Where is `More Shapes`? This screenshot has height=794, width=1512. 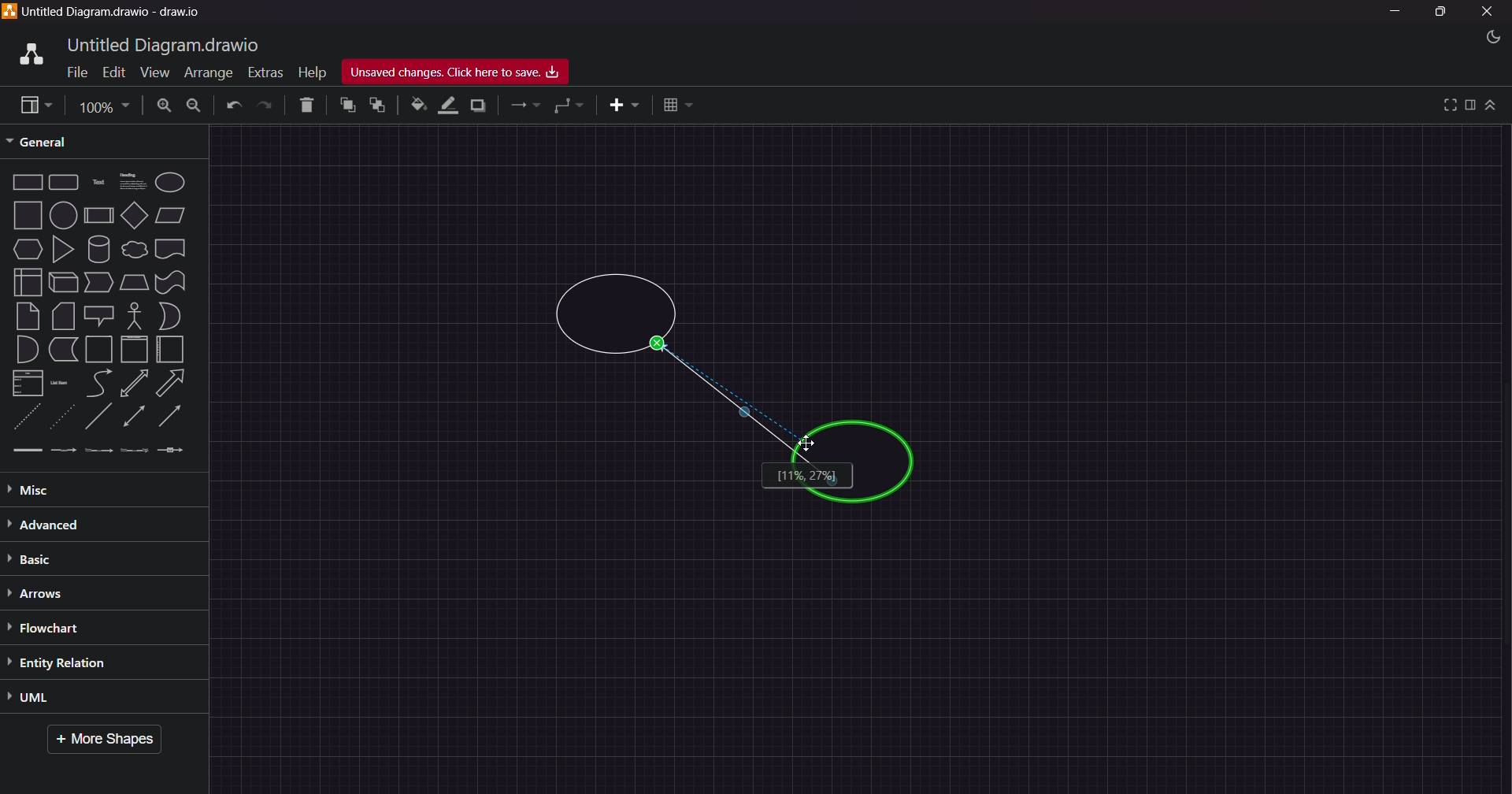
More Shapes is located at coordinates (110, 740).